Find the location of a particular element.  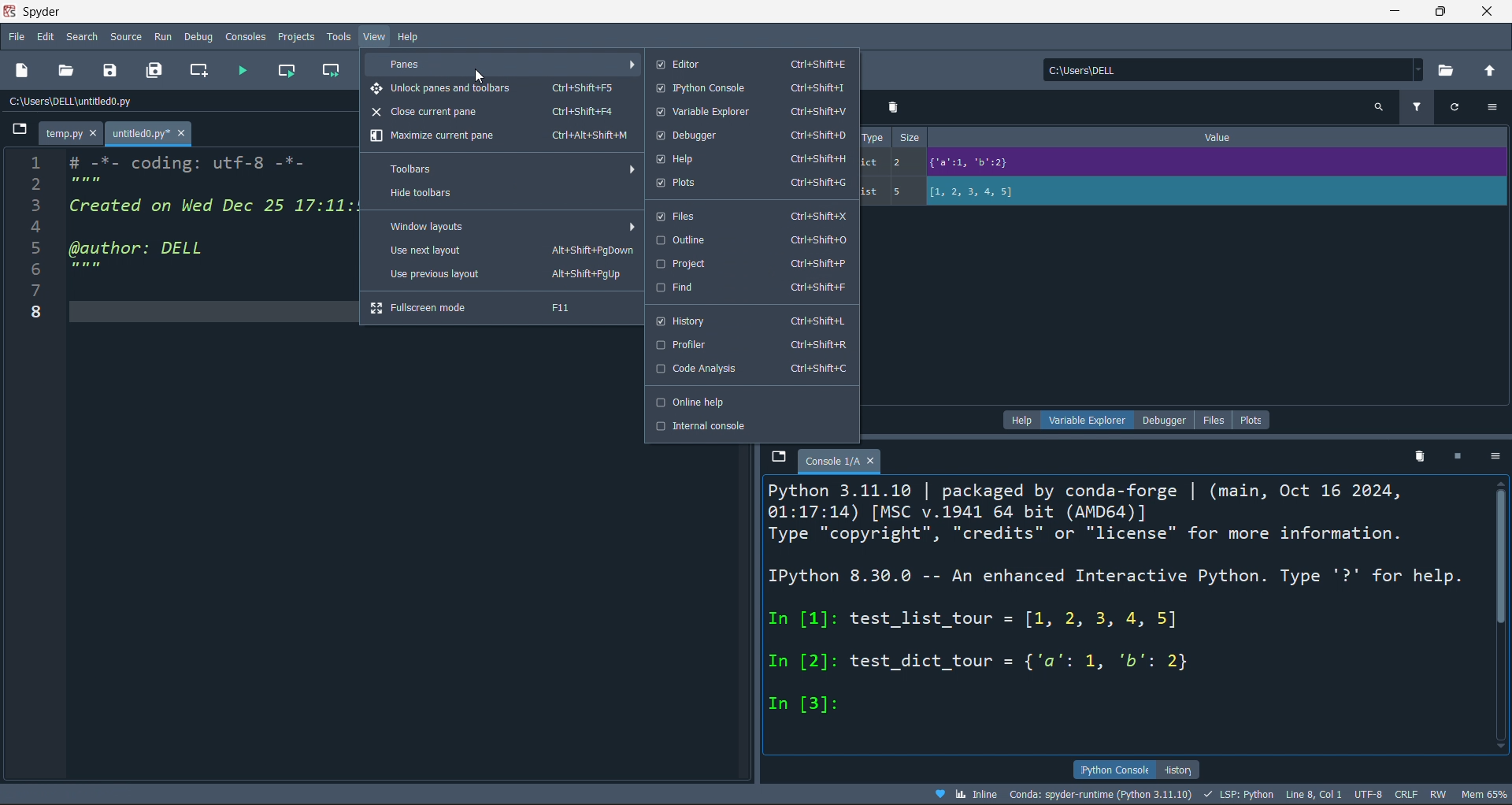

run file is located at coordinates (244, 69).